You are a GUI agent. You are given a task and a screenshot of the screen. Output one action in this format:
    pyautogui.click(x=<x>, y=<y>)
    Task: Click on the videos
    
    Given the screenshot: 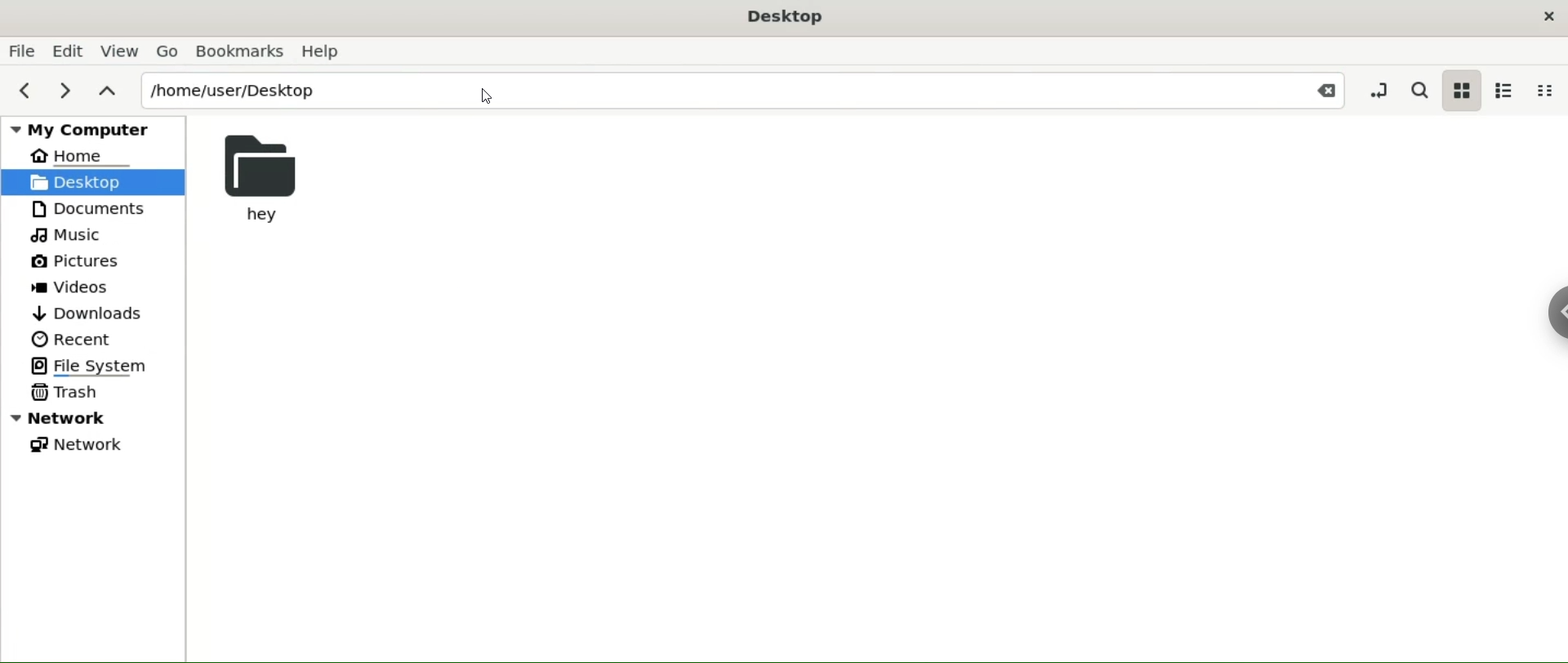 What is the action you would take?
    pyautogui.click(x=73, y=287)
    